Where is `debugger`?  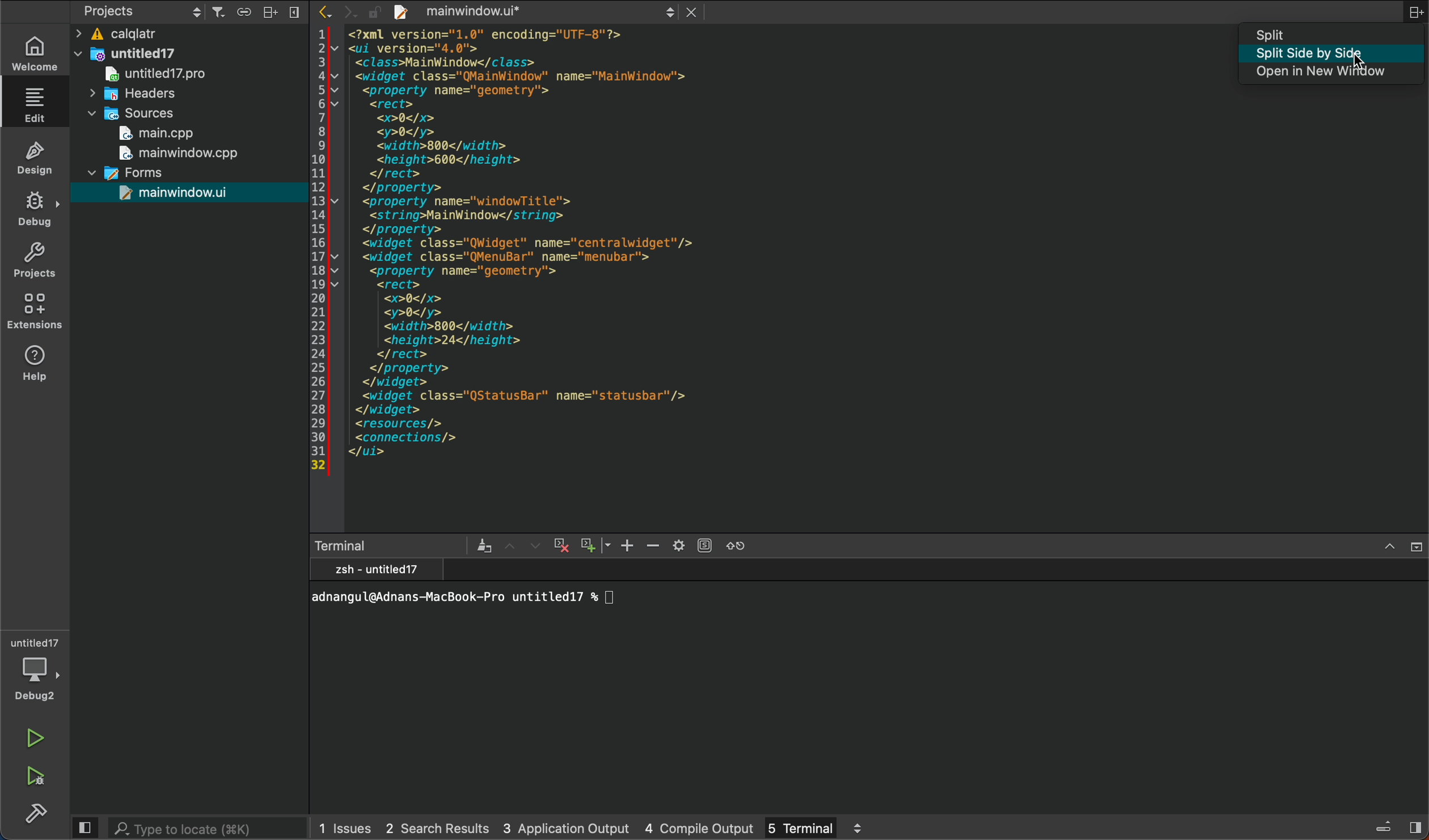 debugger is located at coordinates (35, 667).